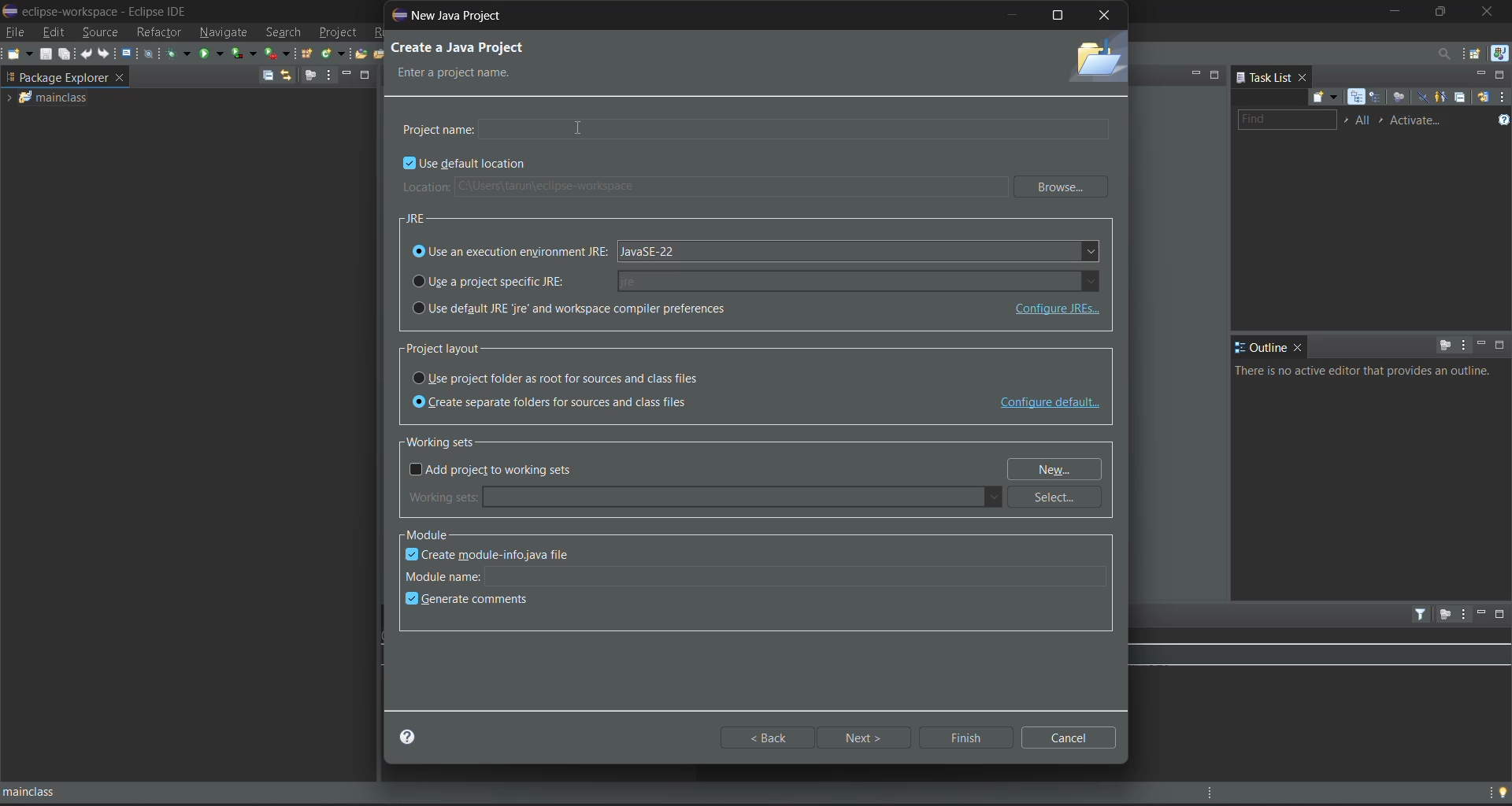  I want to click on search, so click(283, 33).